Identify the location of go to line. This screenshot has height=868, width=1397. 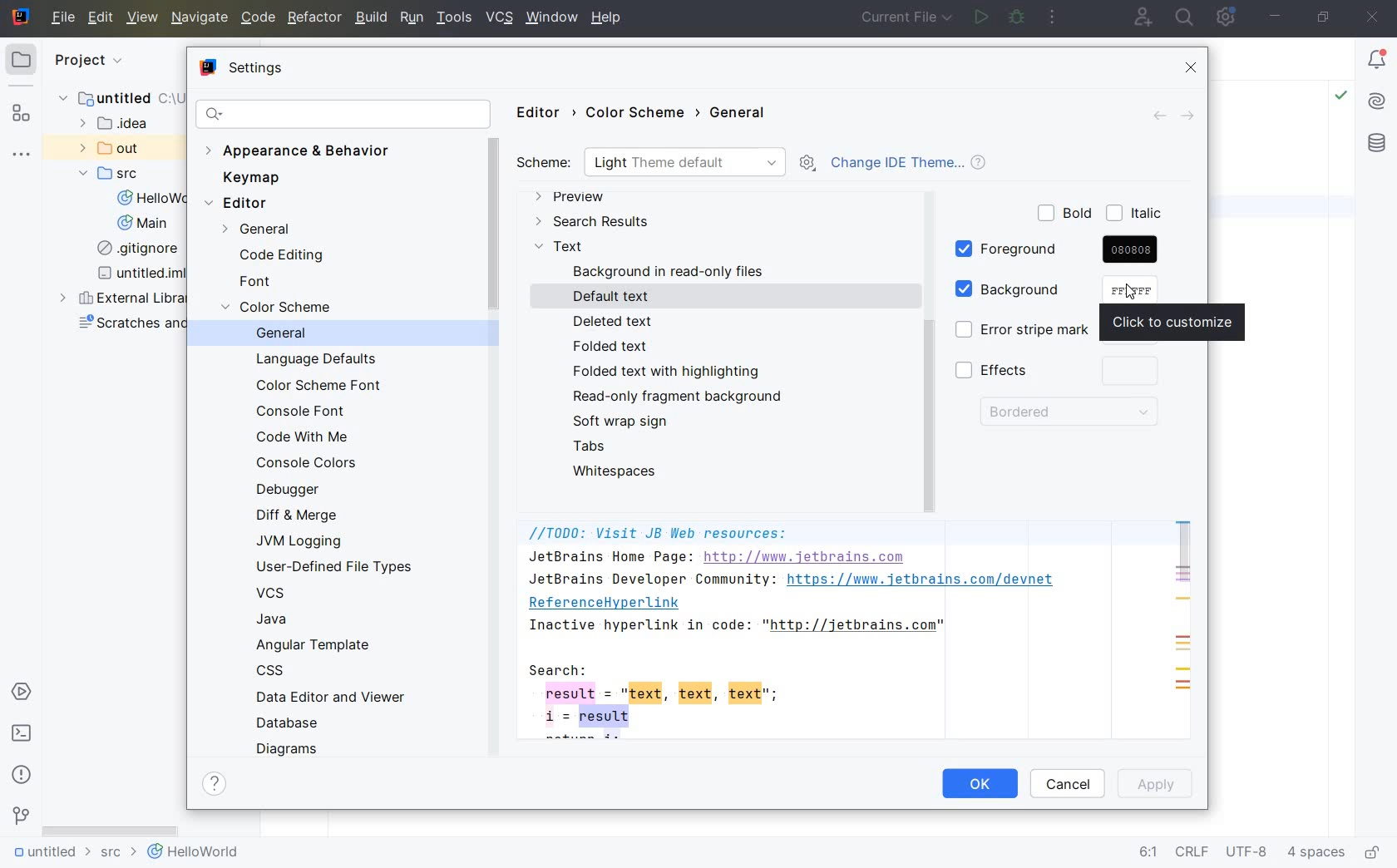
(1147, 853).